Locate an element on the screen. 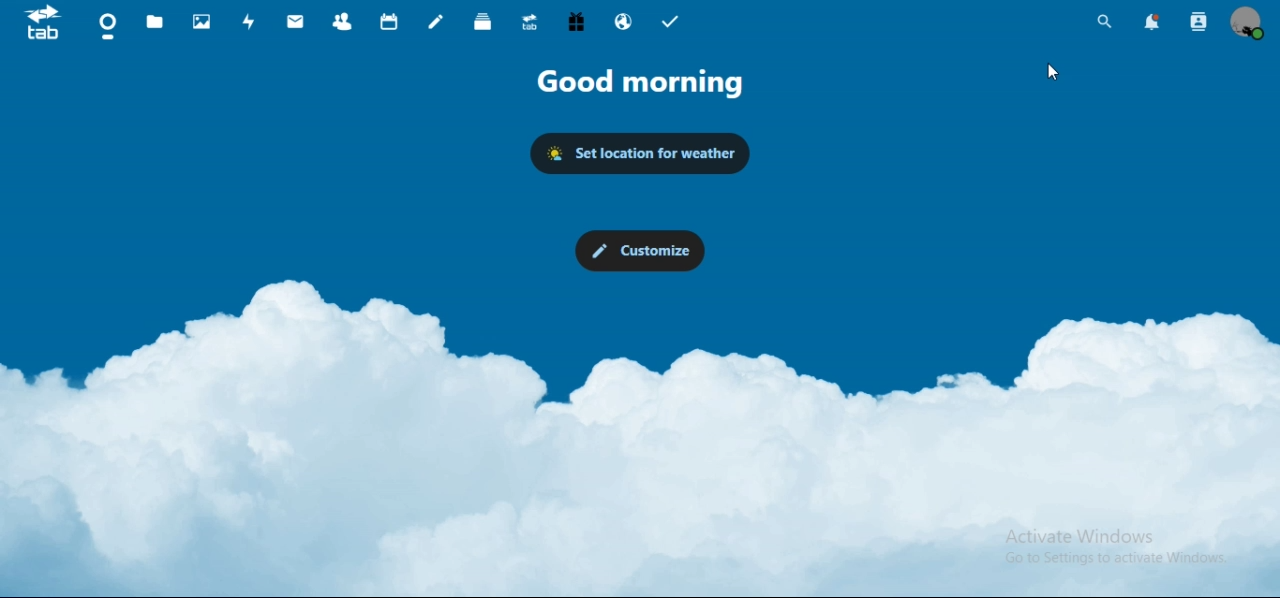 The image size is (1280, 598). notes is located at coordinates (437, 21).